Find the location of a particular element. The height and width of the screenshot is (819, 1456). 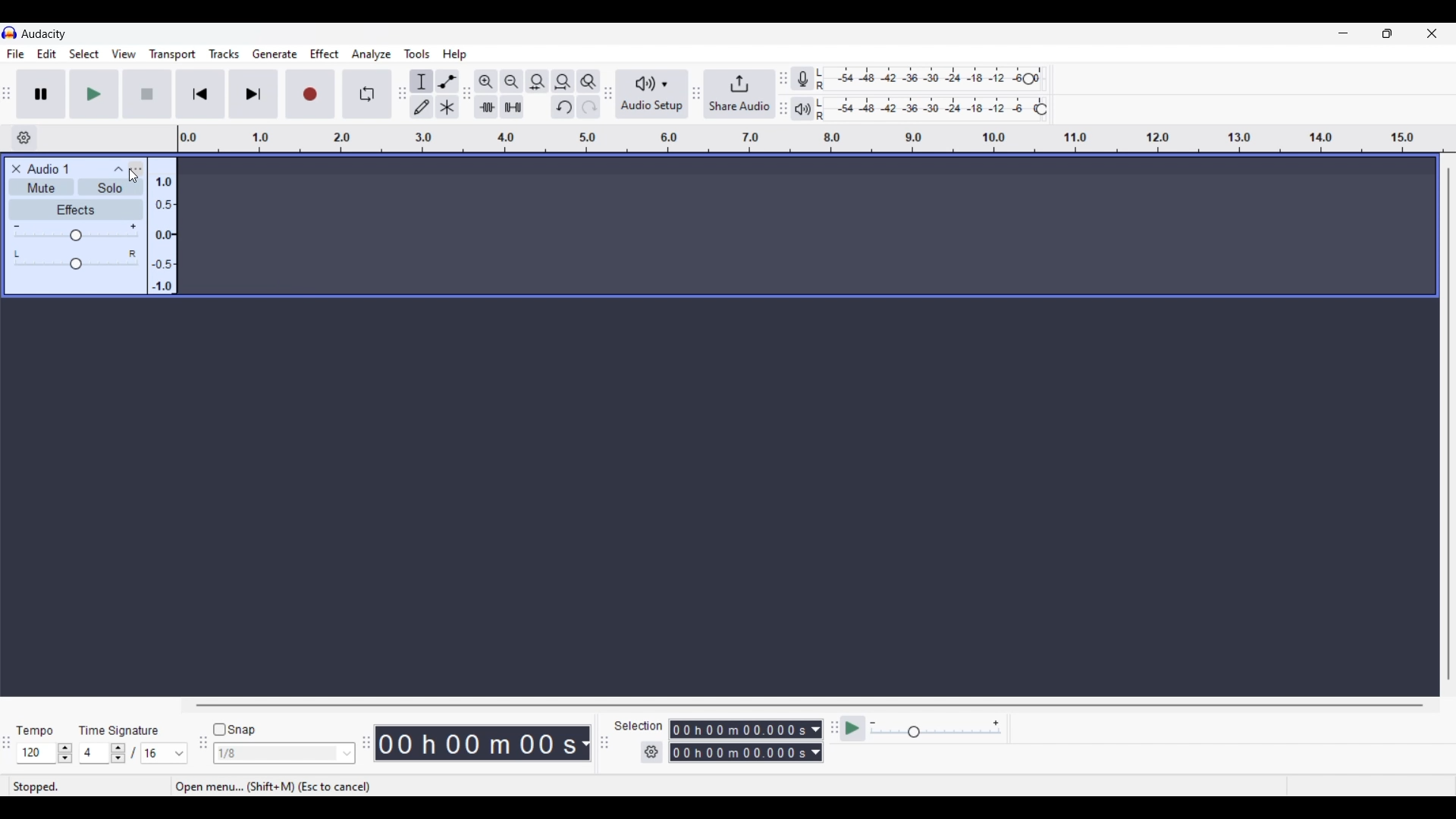

Close interface is located at coordinates (1432, 33).